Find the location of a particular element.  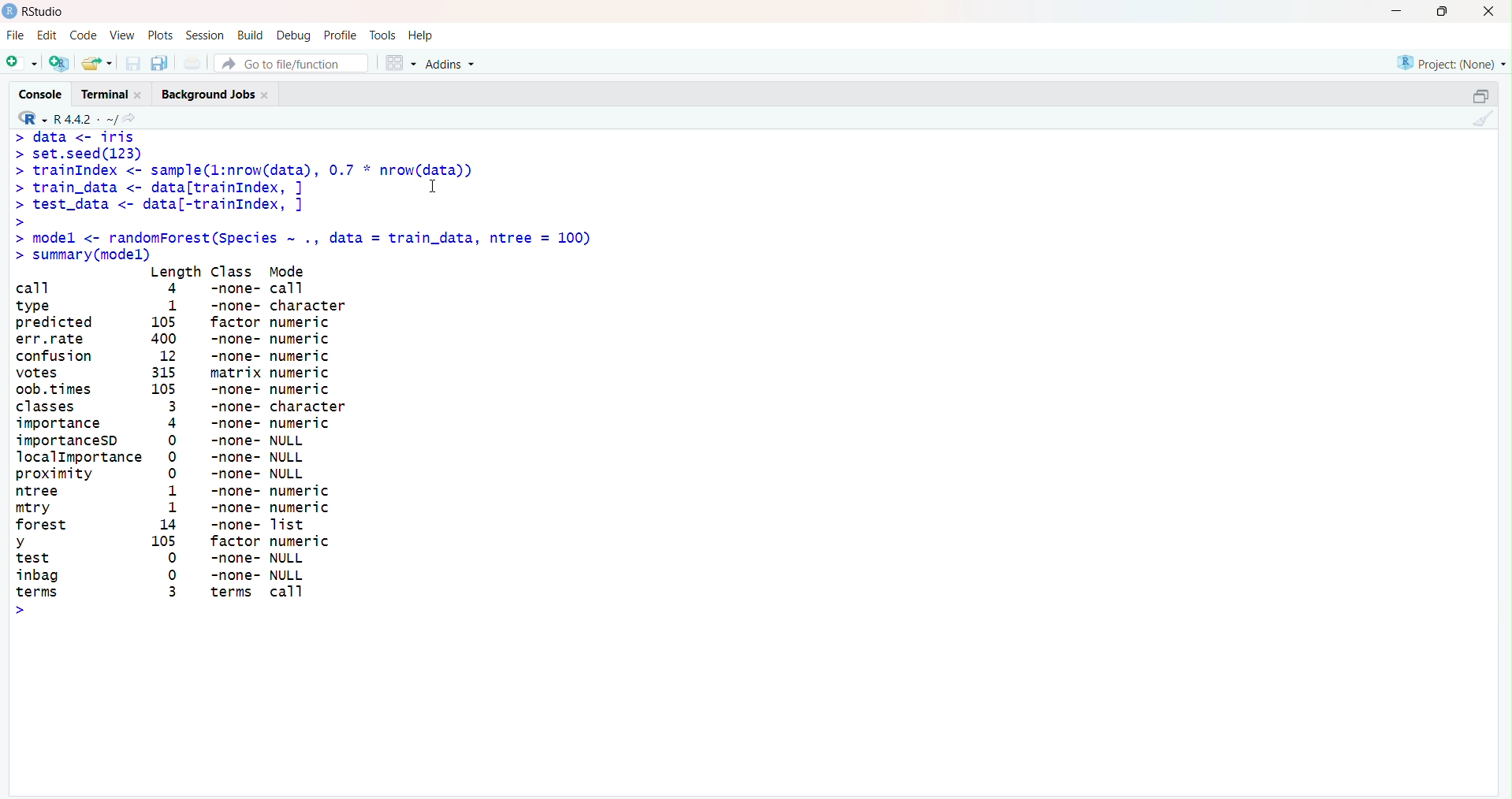

Maximize/ Restore is located at coordinates (1478, 95).